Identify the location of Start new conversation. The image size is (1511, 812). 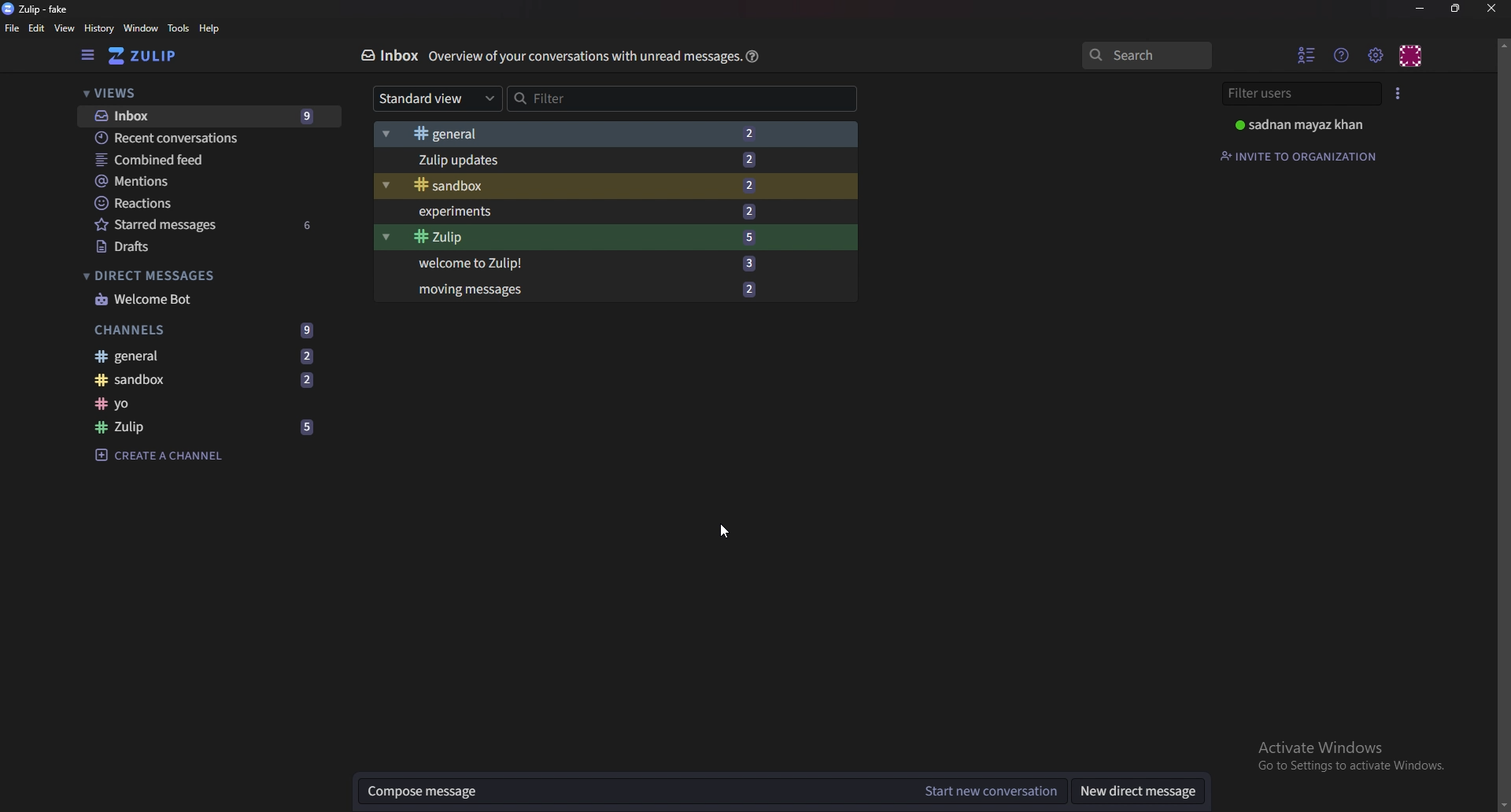
(993, 792).